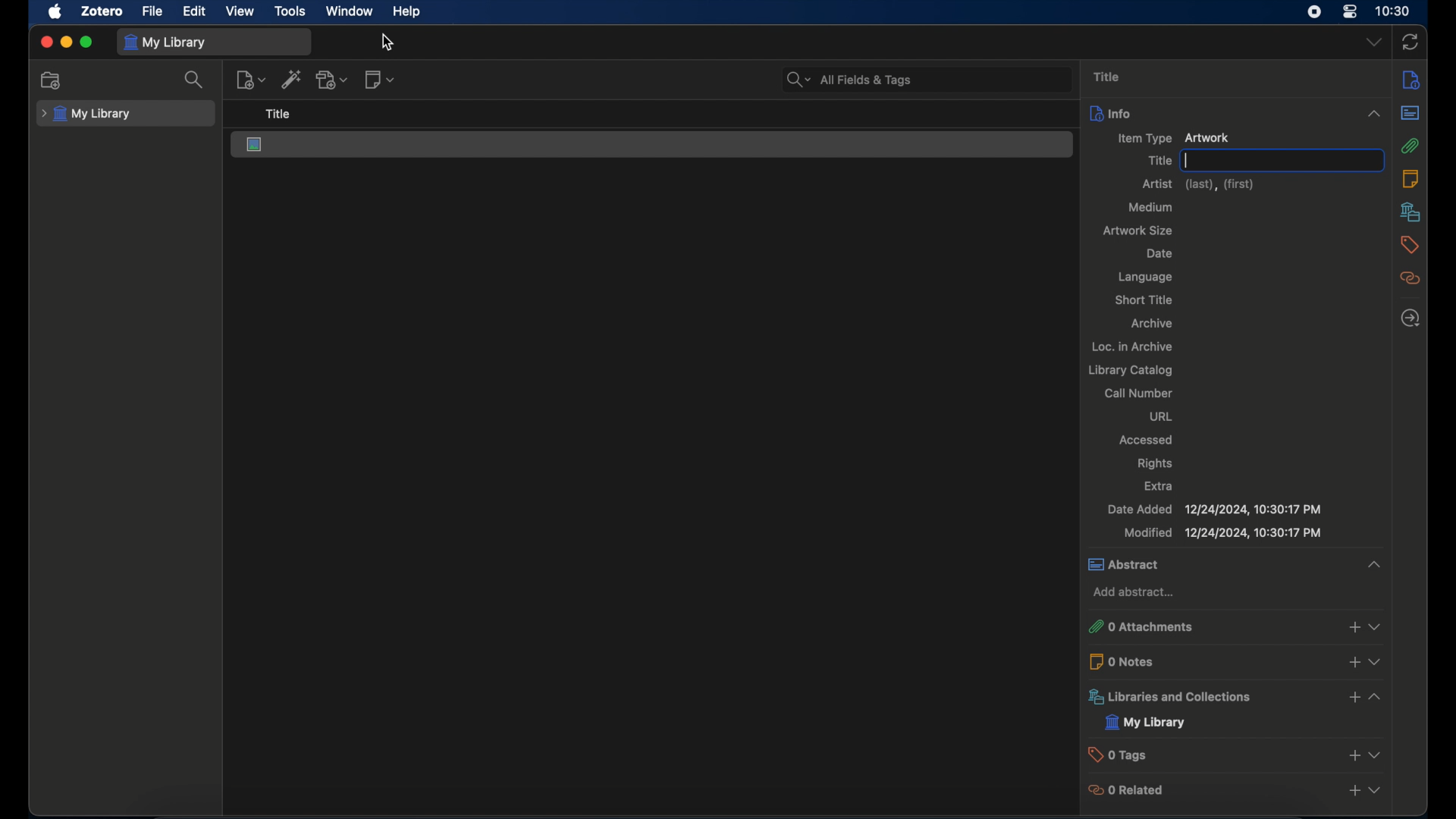  I want to click on expand section, so click(1374, 566).